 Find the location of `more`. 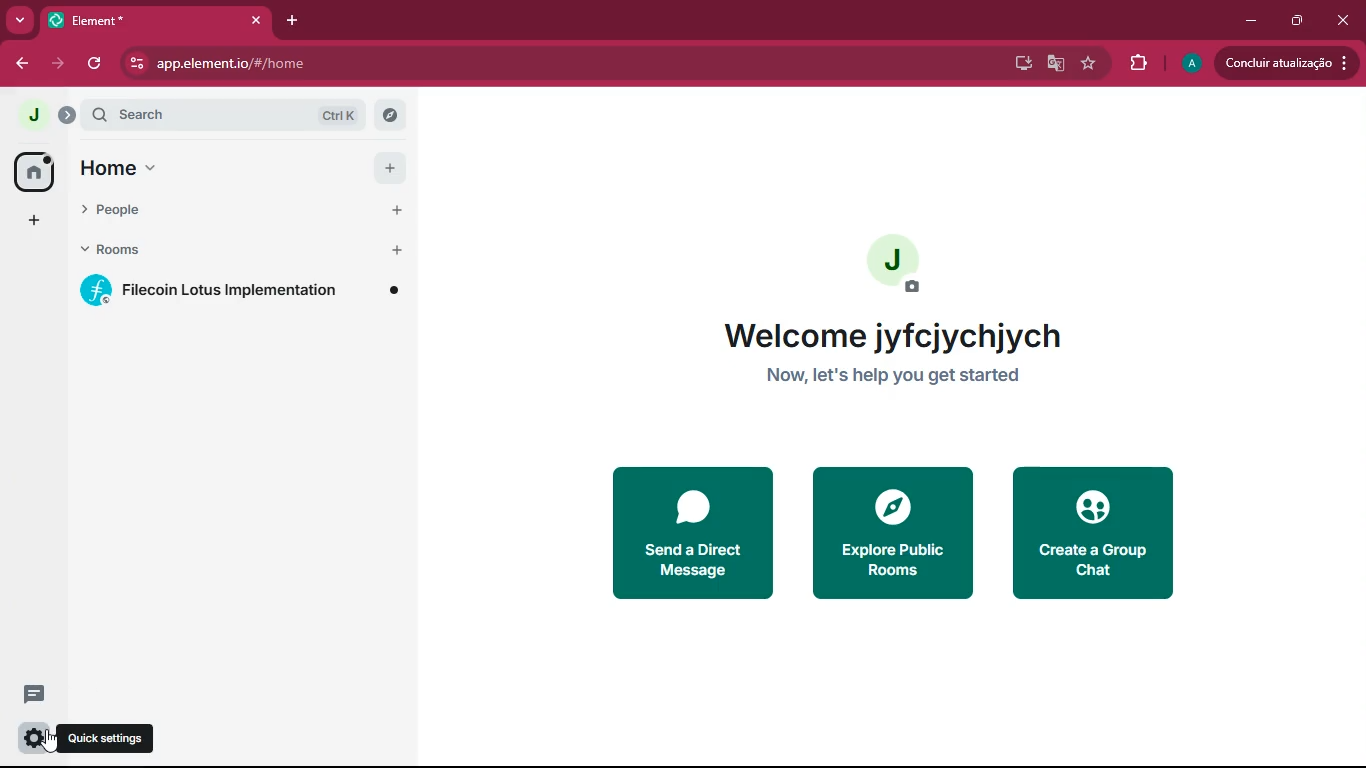

more is located at coordinates (21, 20).